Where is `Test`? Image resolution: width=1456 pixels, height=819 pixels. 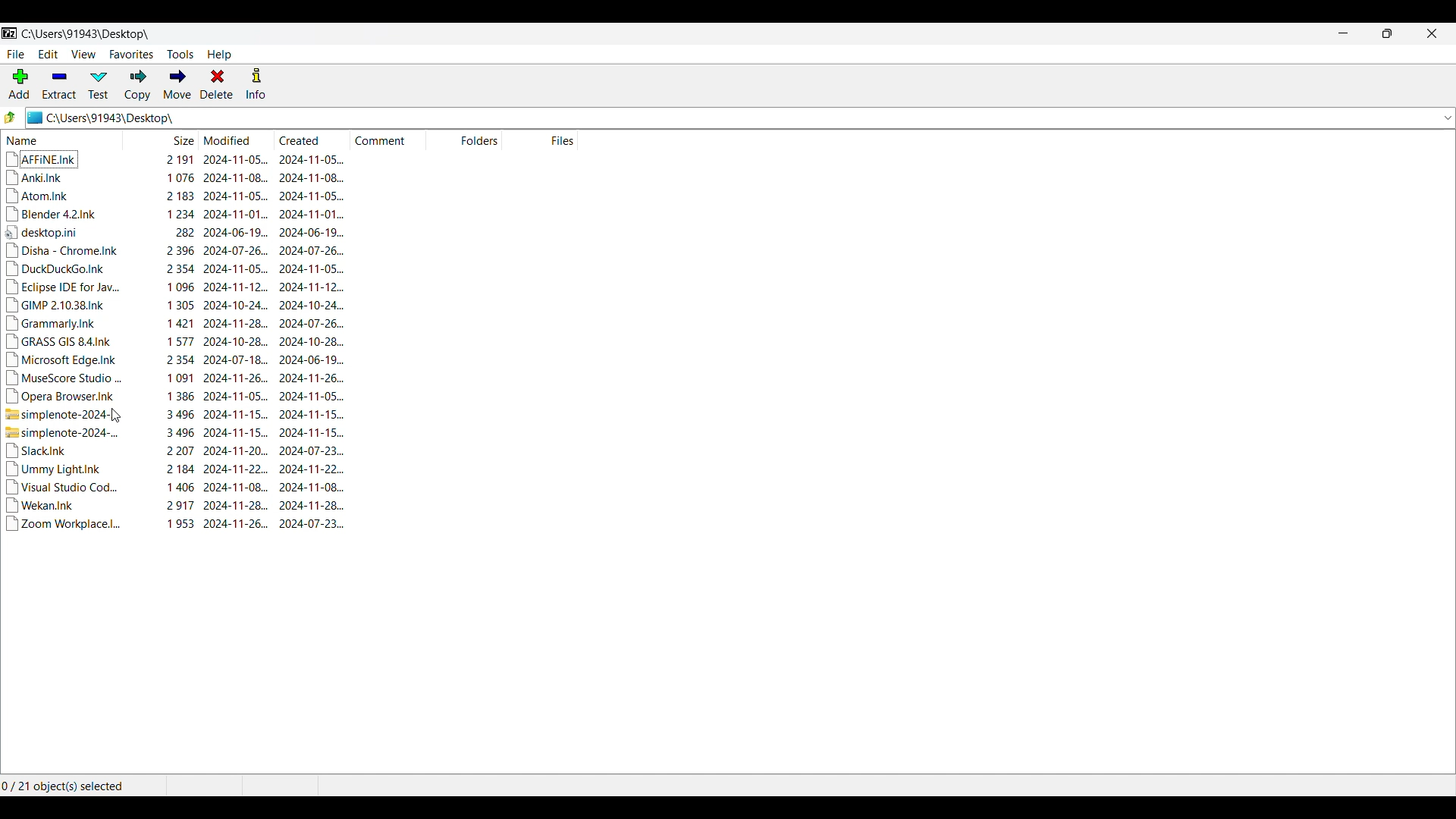
Test is located at coordinates (99, 85).